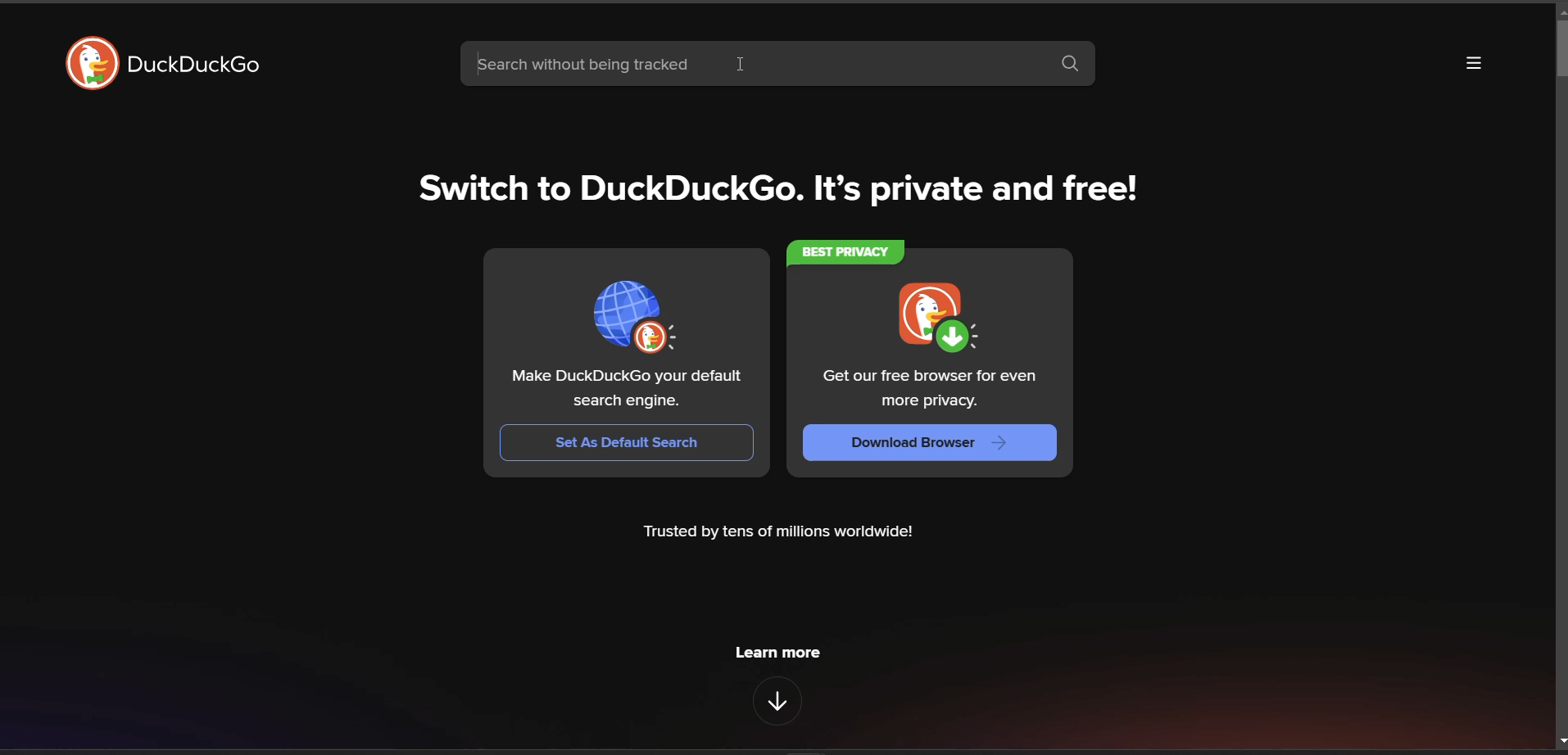  Describe the element at coordinates (1558, 52) in the screenshot. I see `vertical scroll bar` at that location.